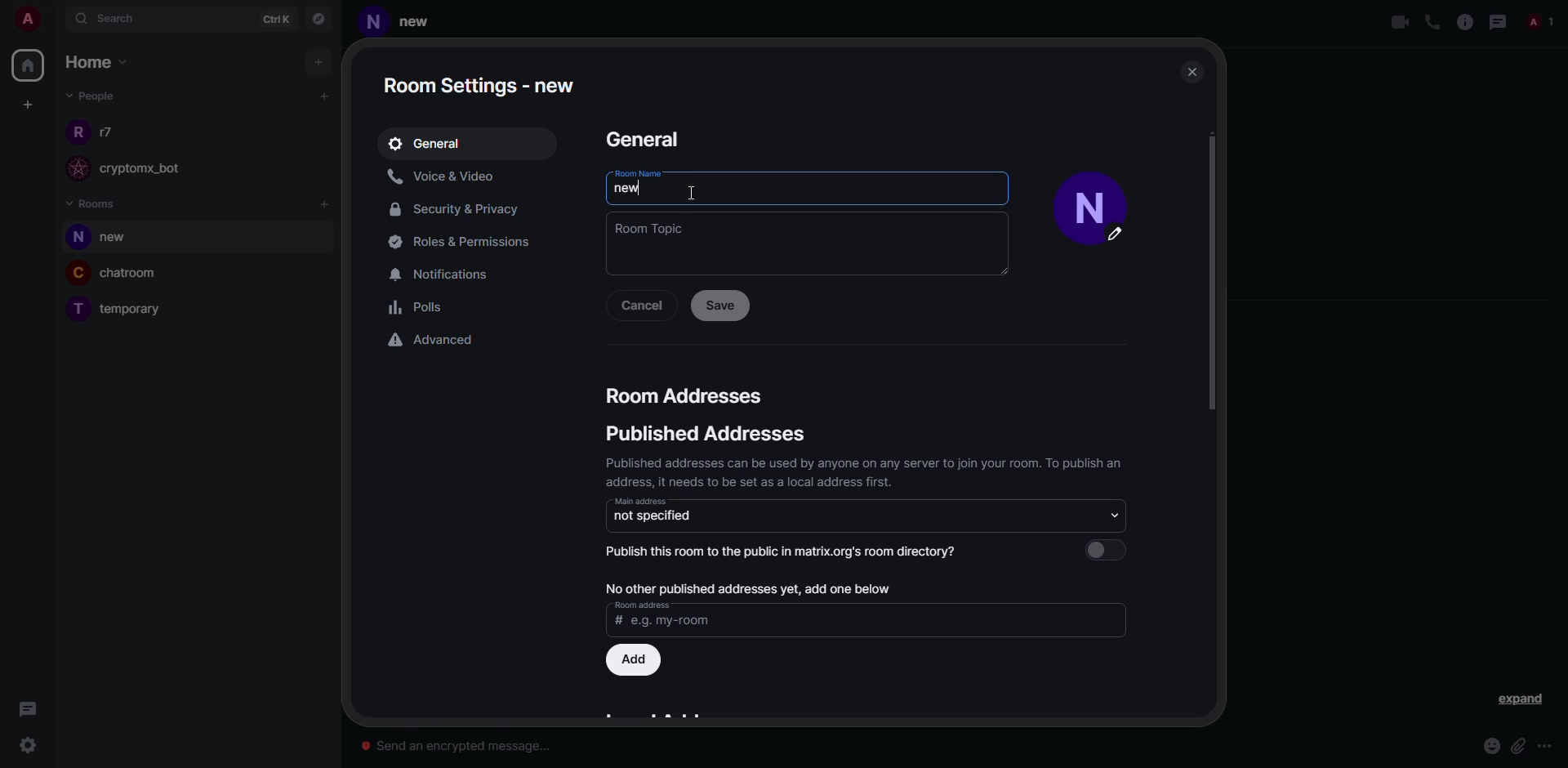 The height and width of the screenshot is (768, 1568). Describe the element at coordinates (636, 173) in the screenshot. I see `room name` at that location.